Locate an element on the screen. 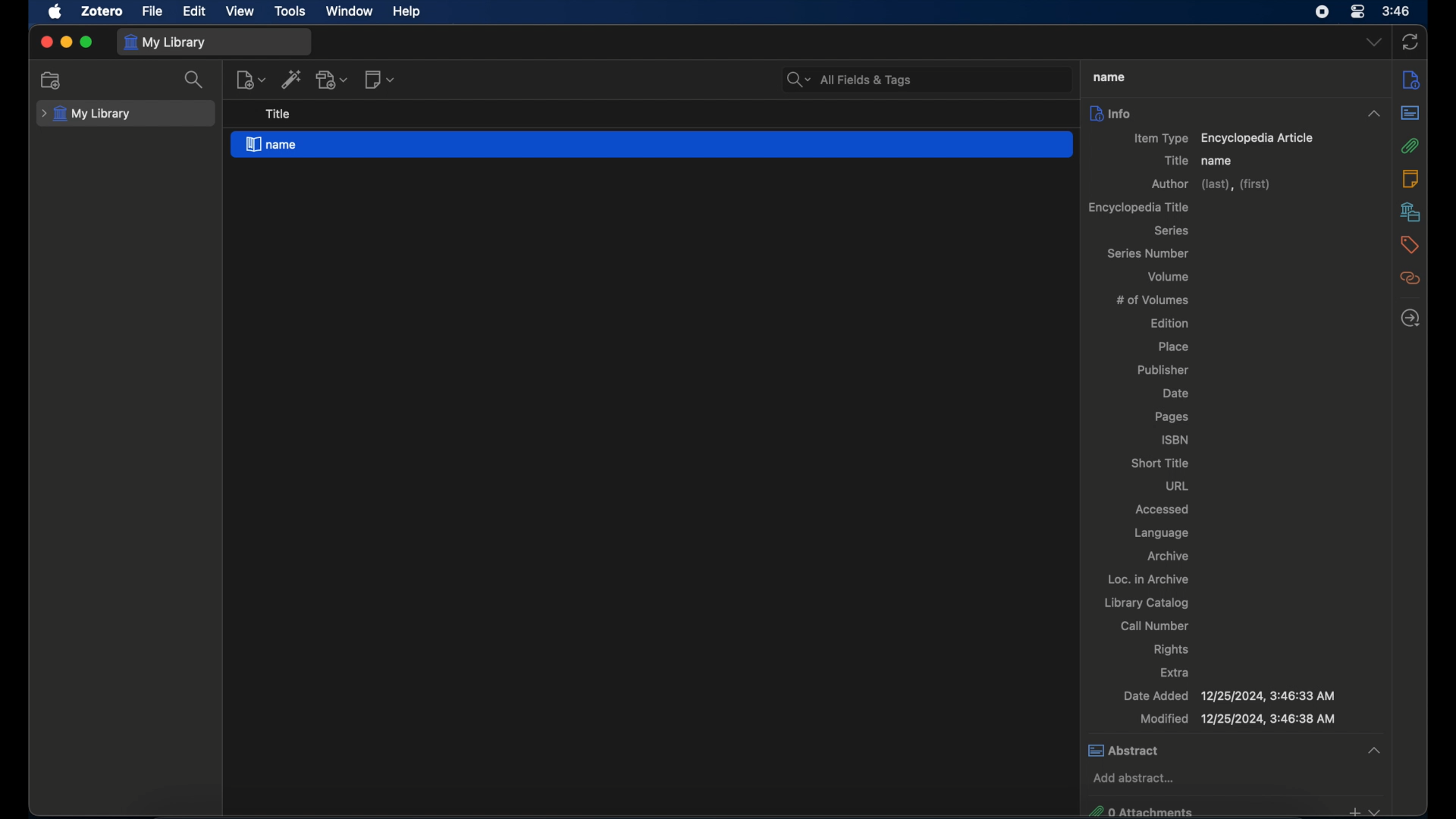 The height and width of the screenshot is (819, 1456). sync is located at coordinates (1409, 43).